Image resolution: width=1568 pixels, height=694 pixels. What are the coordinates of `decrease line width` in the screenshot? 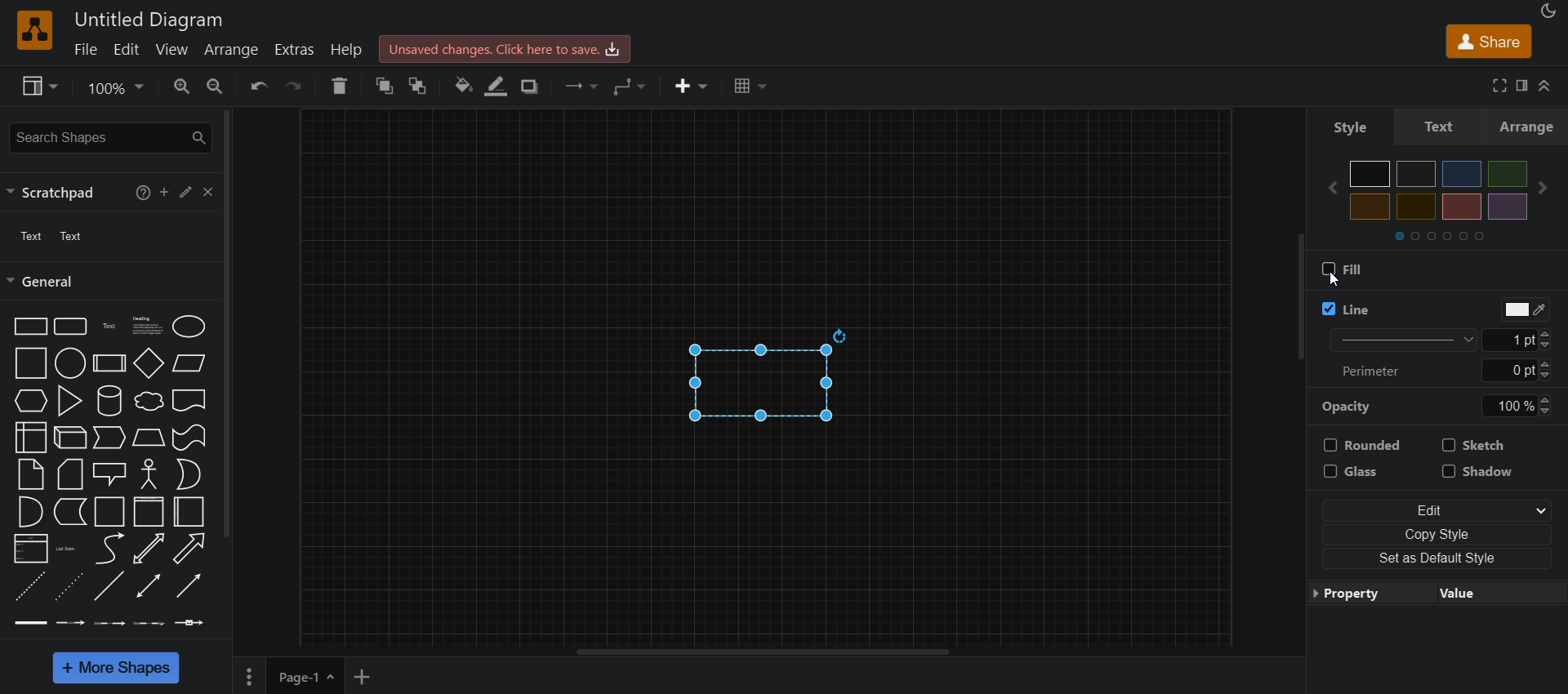 It's located at (1550, 344).